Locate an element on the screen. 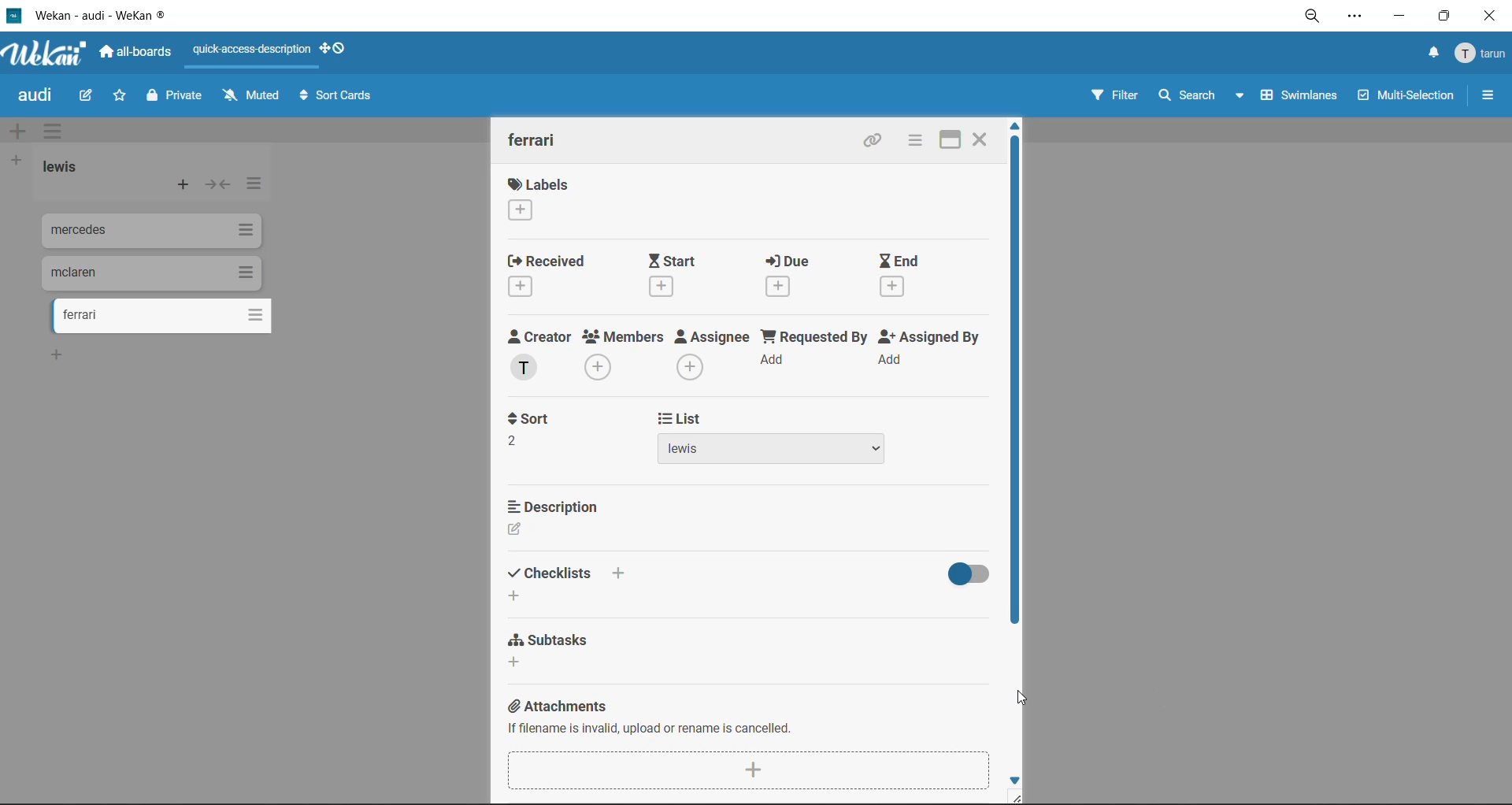  zoom is located at coordinates (1314, 16).